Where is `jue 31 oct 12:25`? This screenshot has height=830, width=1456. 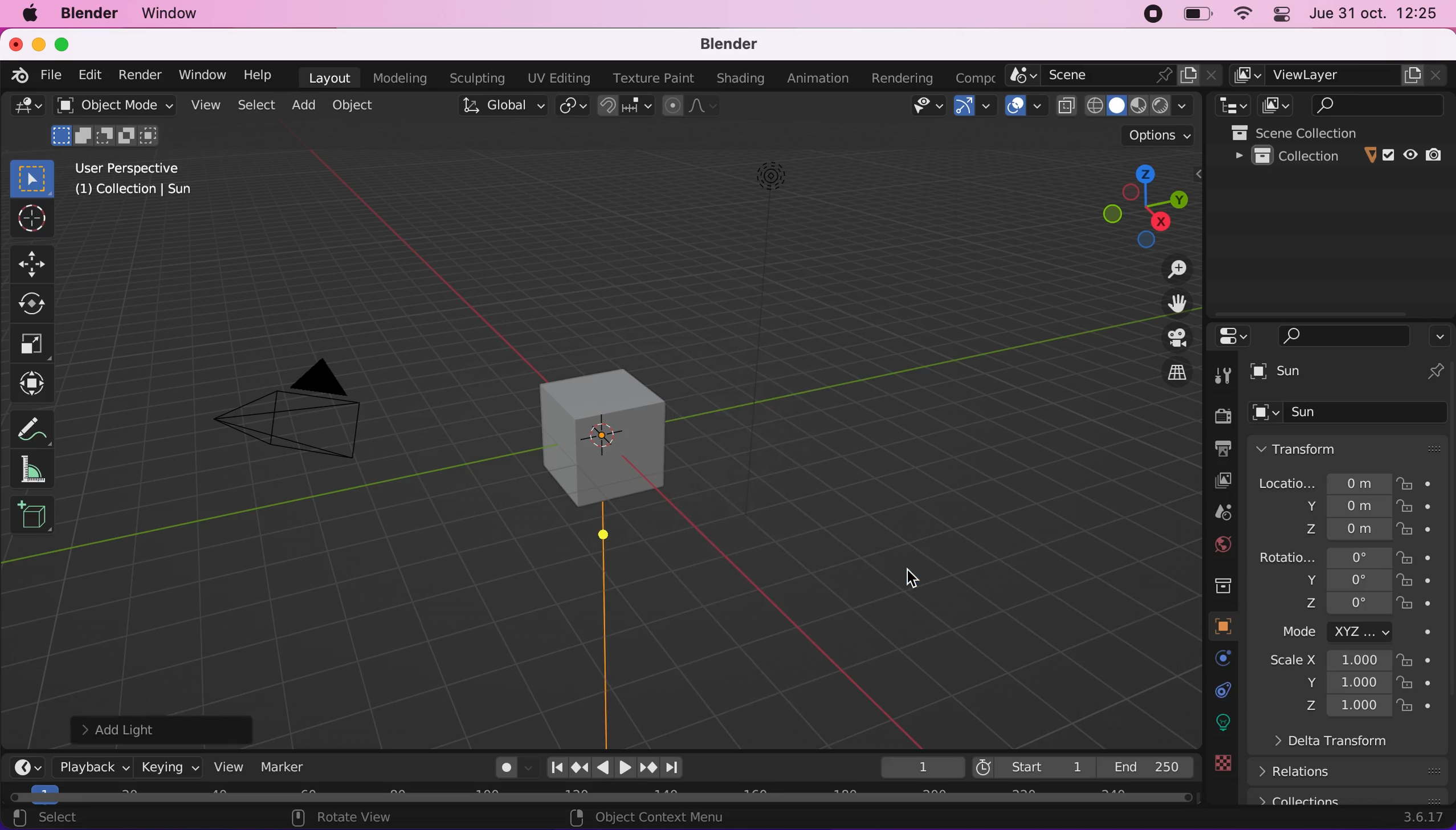 jue 31 oct 12:25 is located at coordinates (1376, 14).